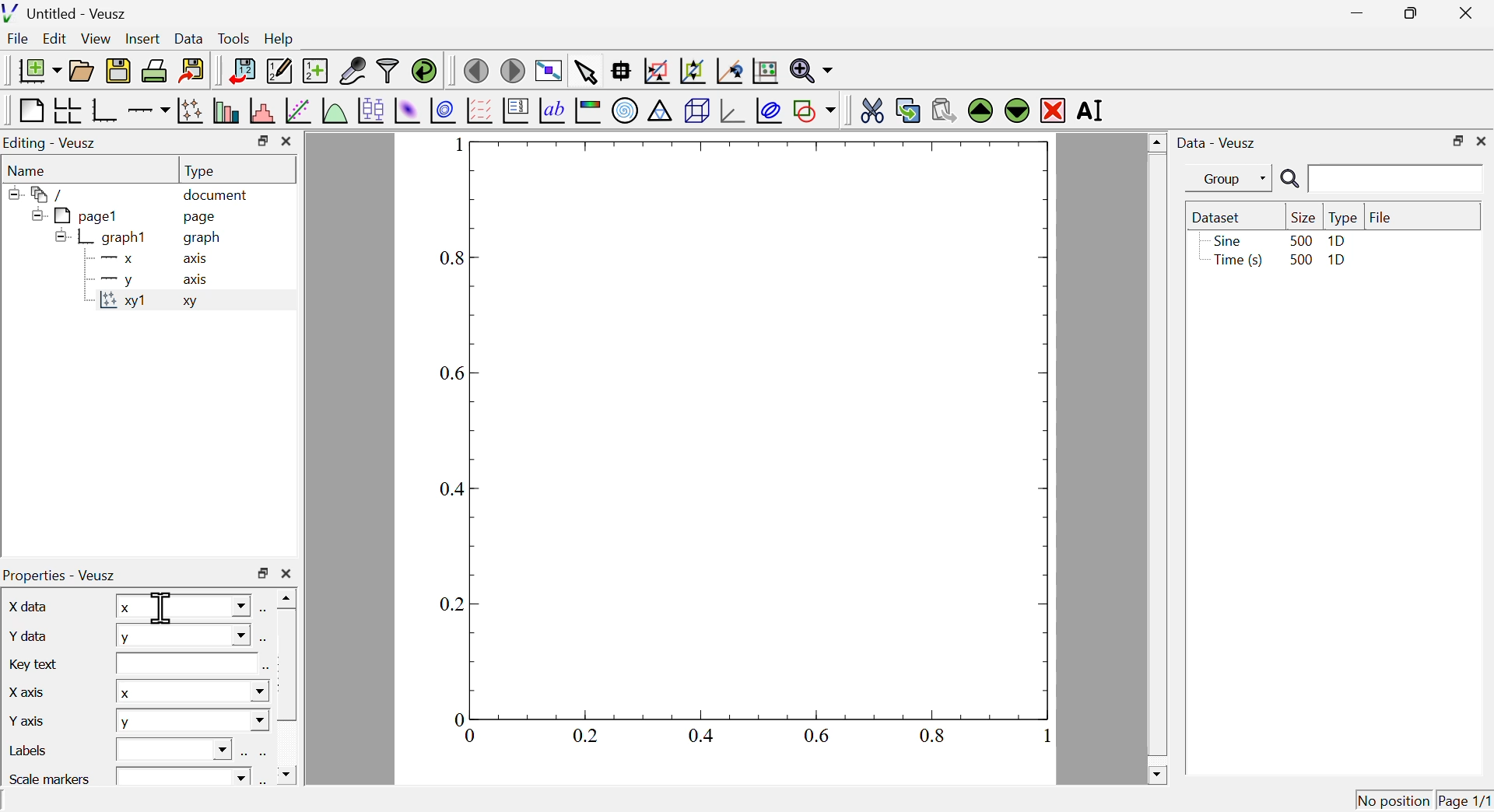  I want to click on plot a function, so click(334, 110).